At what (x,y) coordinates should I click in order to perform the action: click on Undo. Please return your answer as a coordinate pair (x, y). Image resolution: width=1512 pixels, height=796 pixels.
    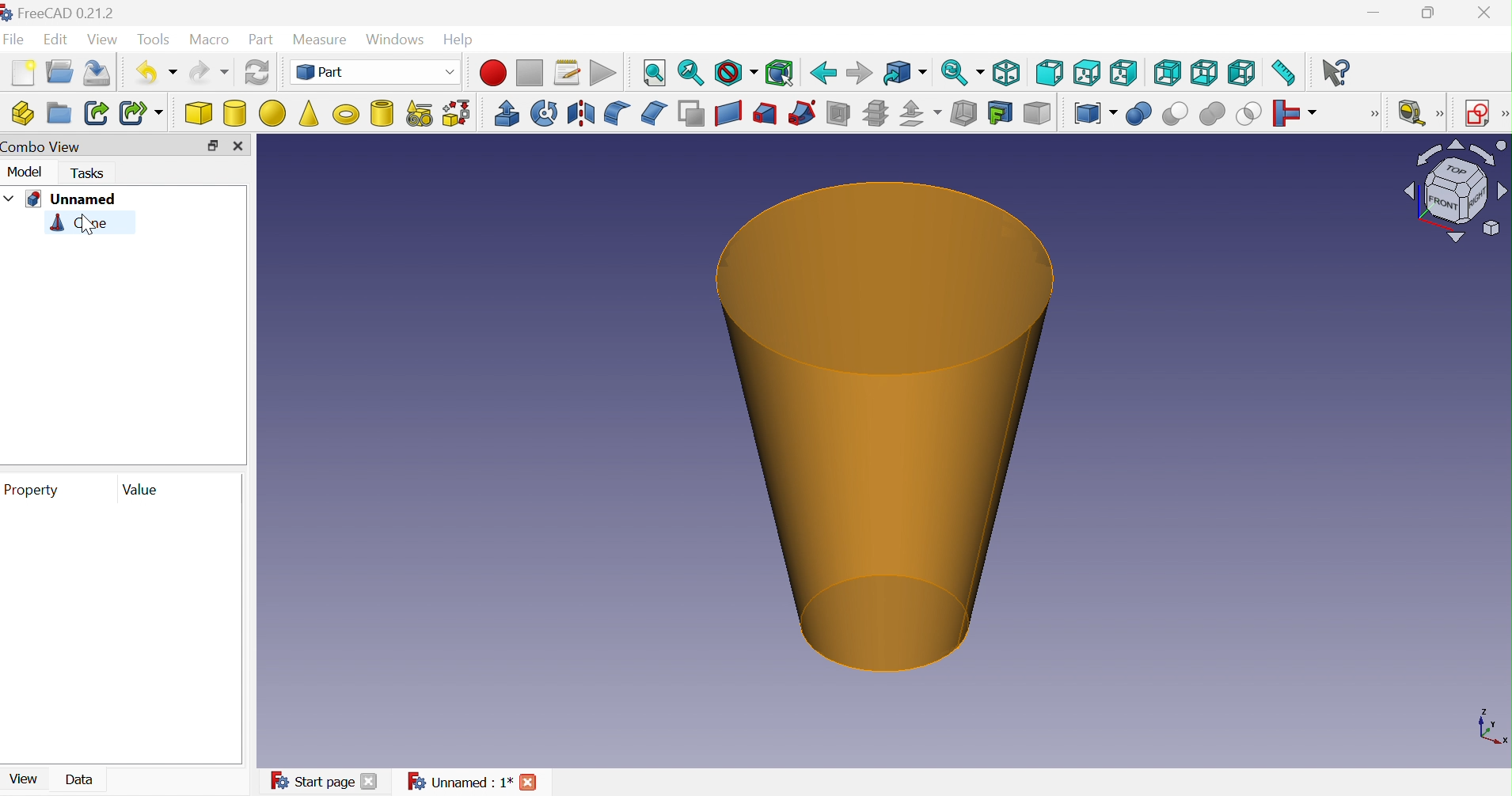
    Looking at the image, I should click on (157, 72).